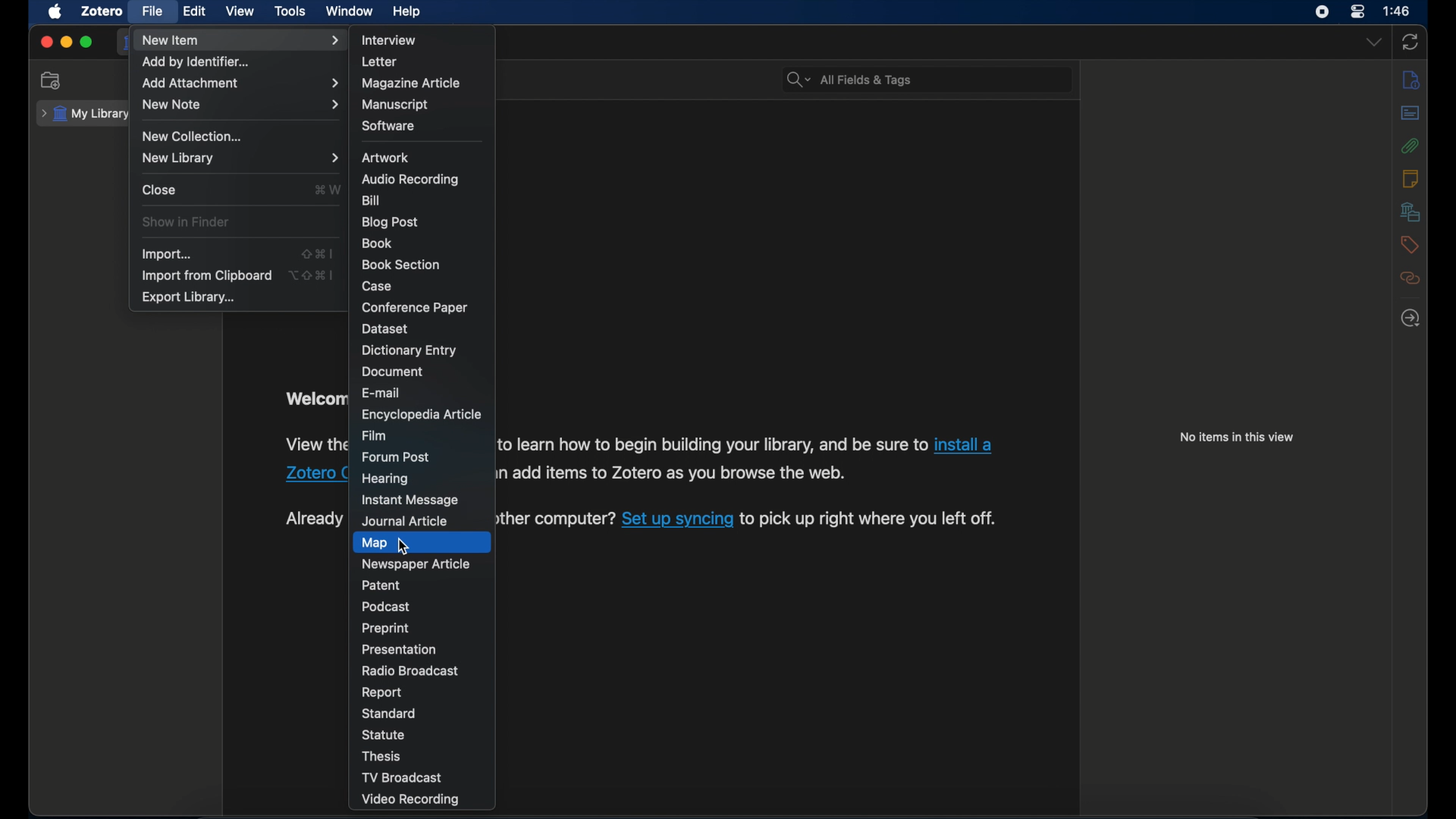  What do you see at coordinates (313, 516) in the screenshot?
I see `Already` at bounding box center [313, 516].